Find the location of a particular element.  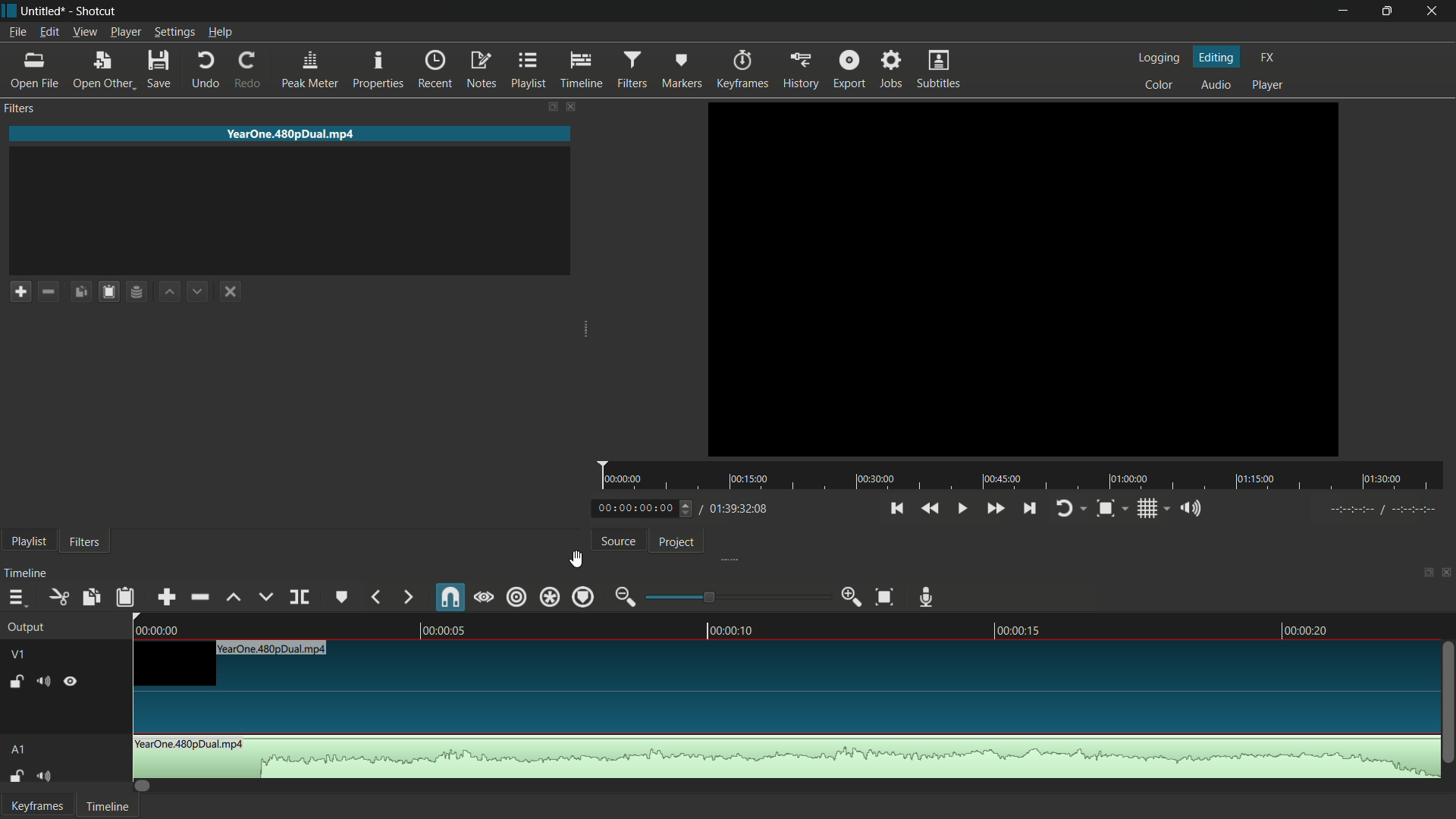

playlist is located at coordinates (531, 69).